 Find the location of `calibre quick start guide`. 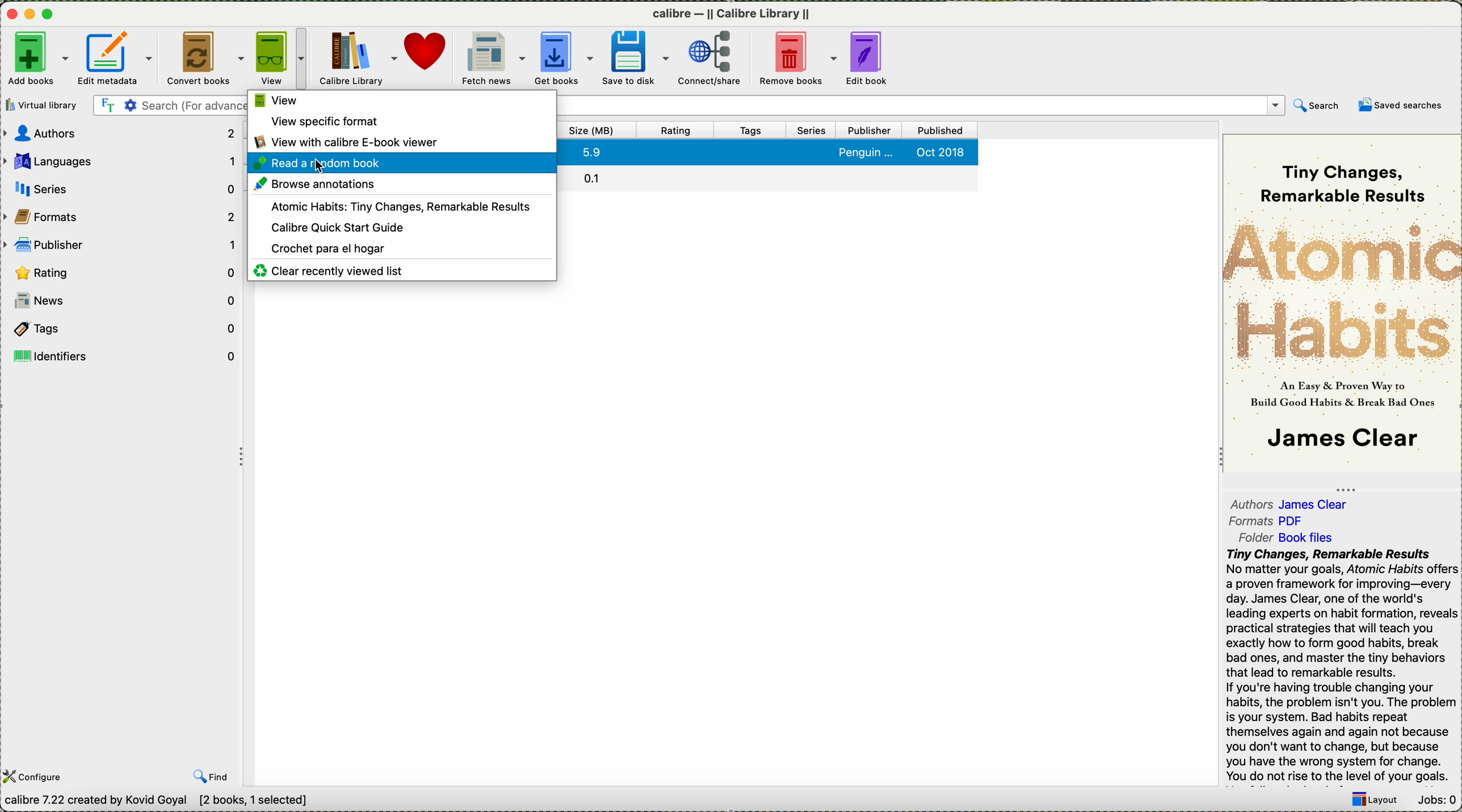

calibre quick start guide is located at coordinates (333, 226).